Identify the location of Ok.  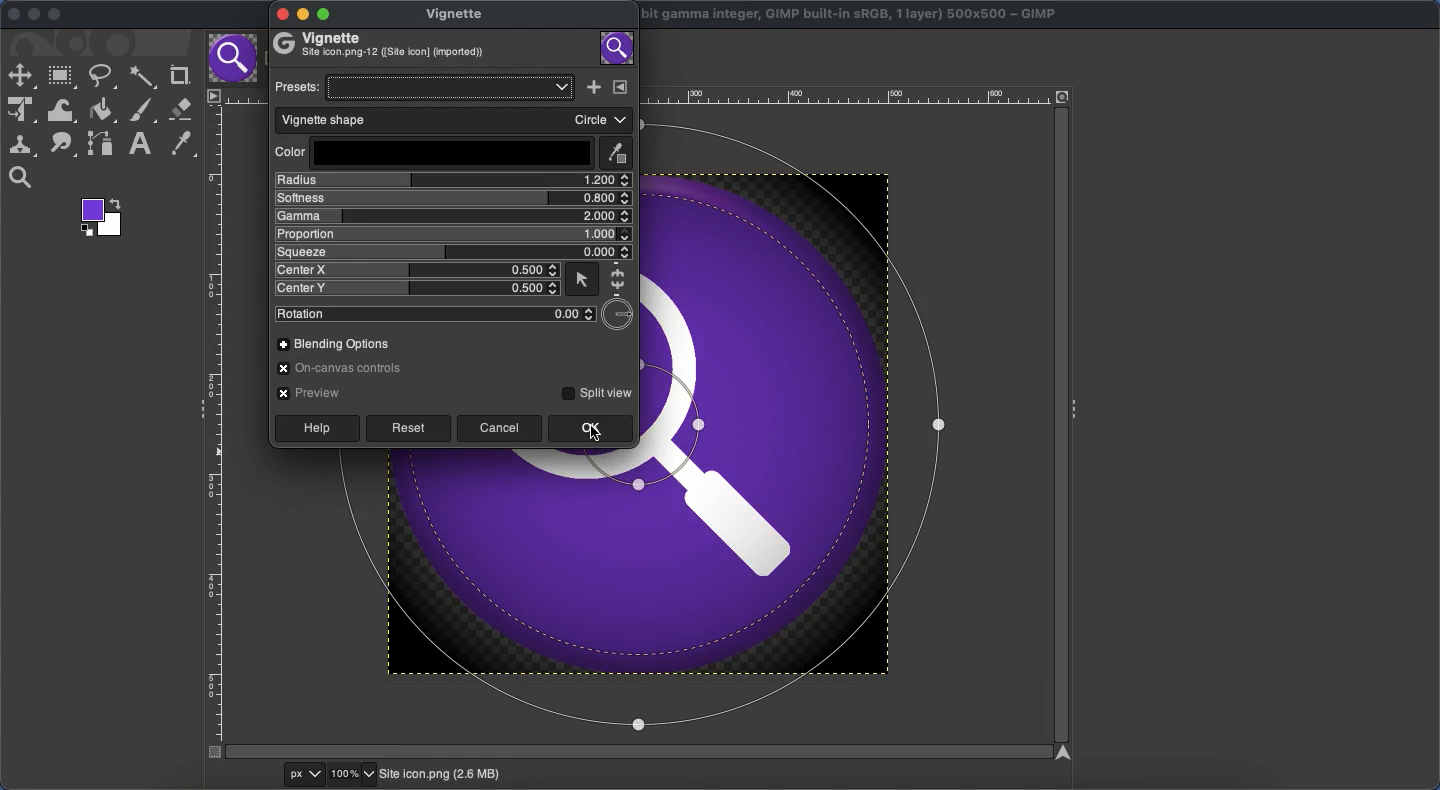
(589, 429).